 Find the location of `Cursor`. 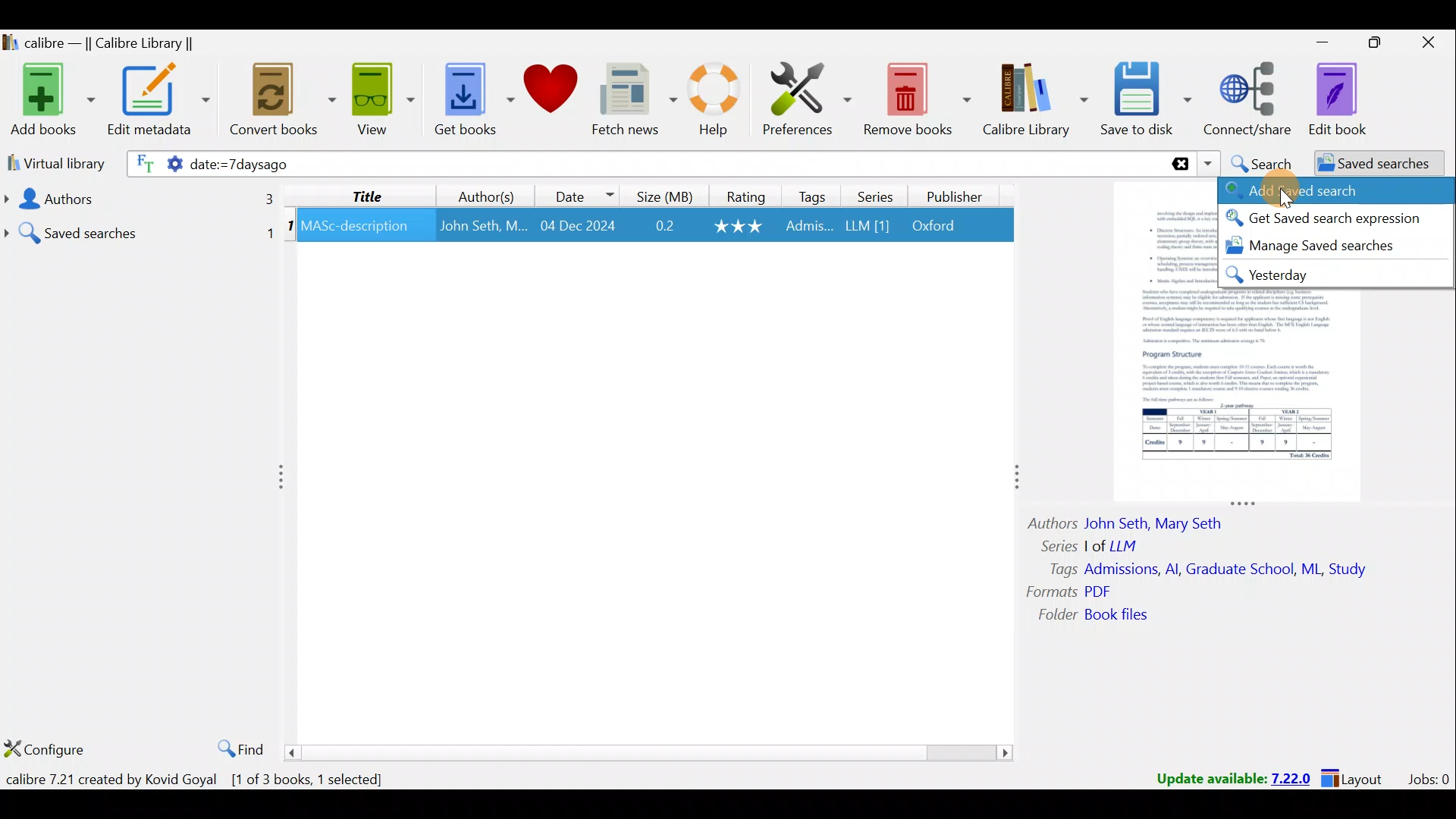

Cursor is located at coordinates (1284, 195).